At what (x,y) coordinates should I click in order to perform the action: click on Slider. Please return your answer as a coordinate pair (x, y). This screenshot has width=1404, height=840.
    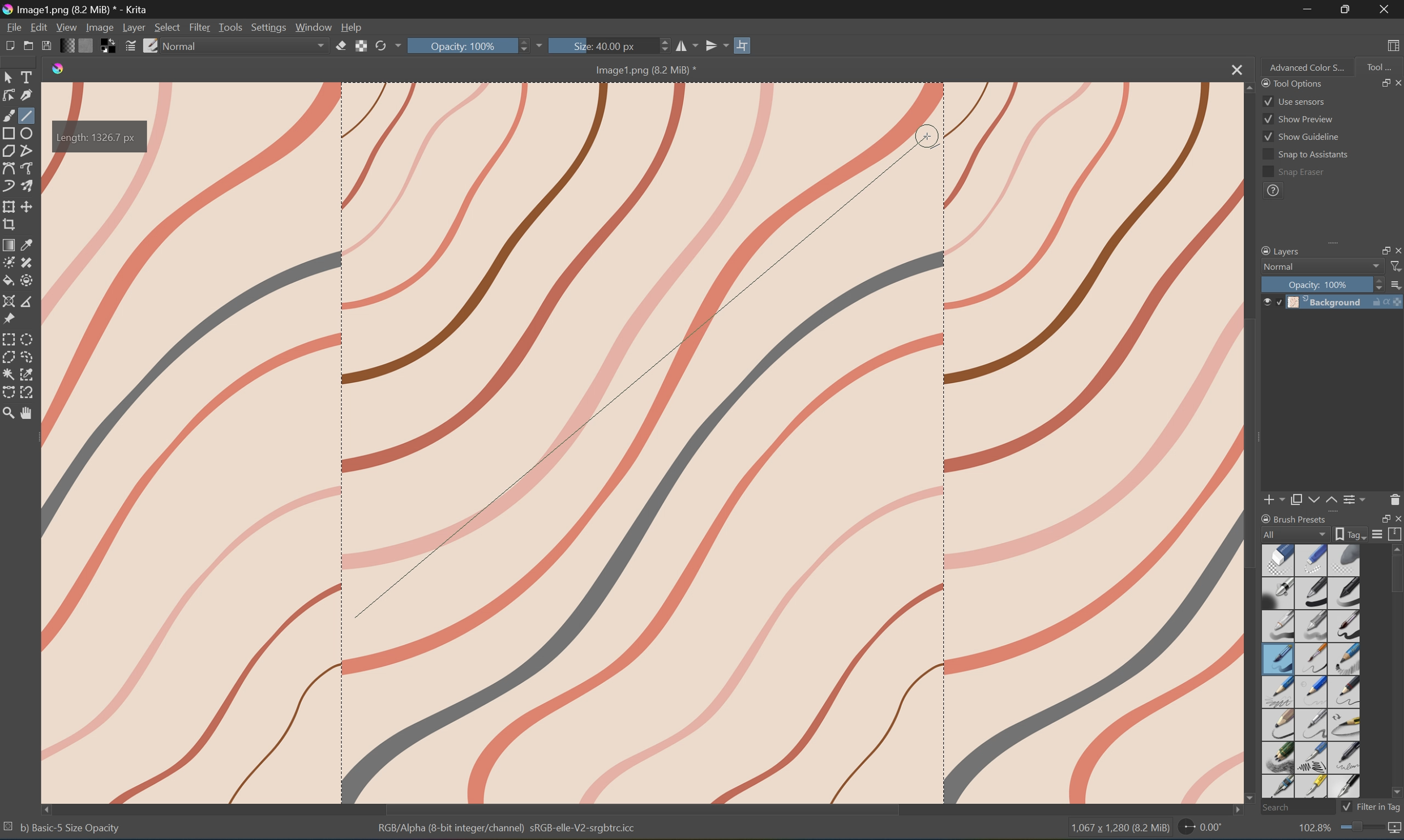
    Looking at the image, I should click on (1375, 284).